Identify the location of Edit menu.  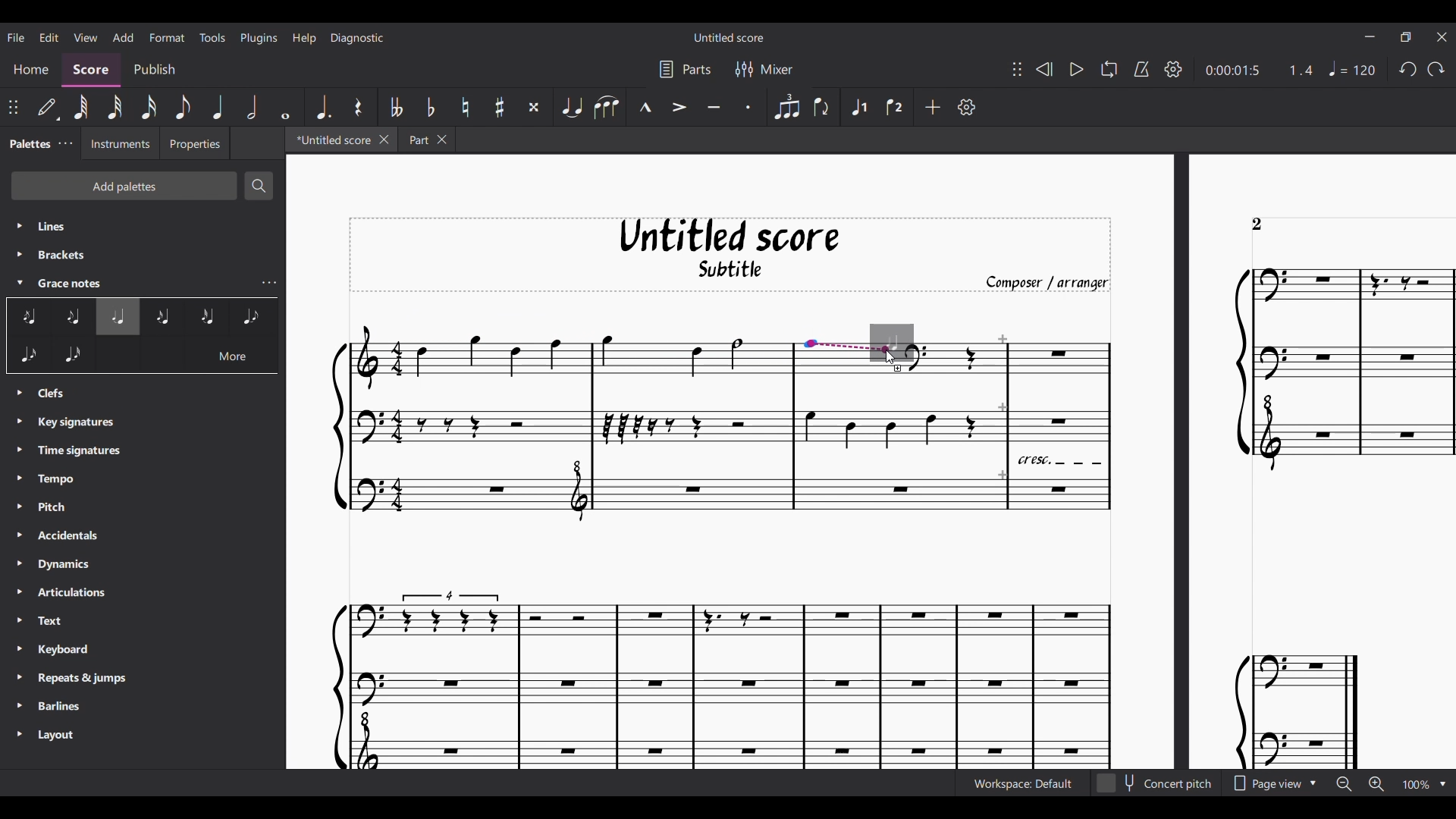
(49, 36).